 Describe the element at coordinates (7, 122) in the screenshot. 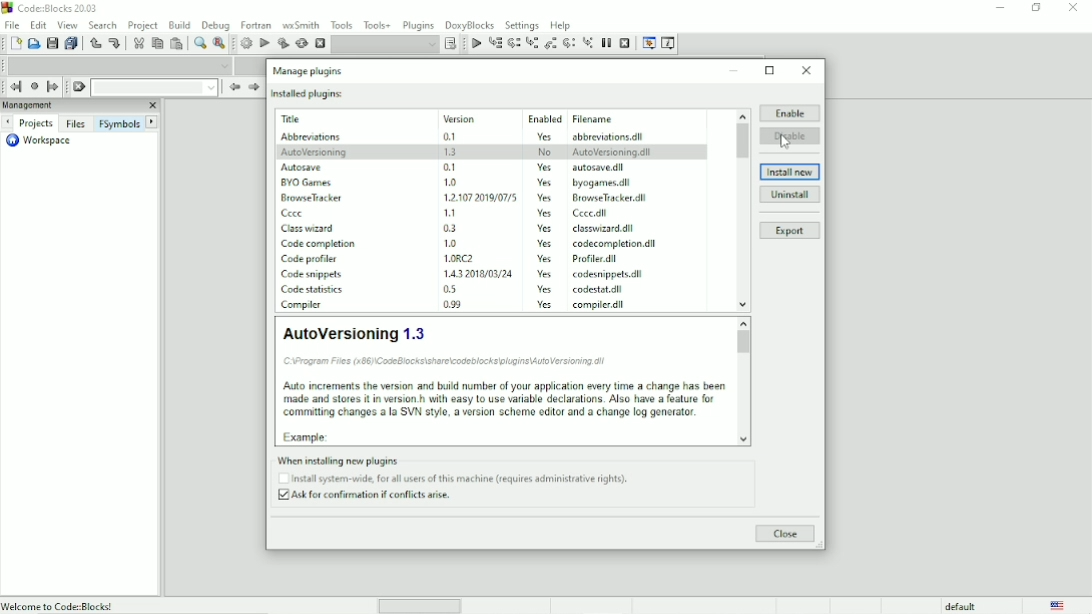

I see `Next` at that location.